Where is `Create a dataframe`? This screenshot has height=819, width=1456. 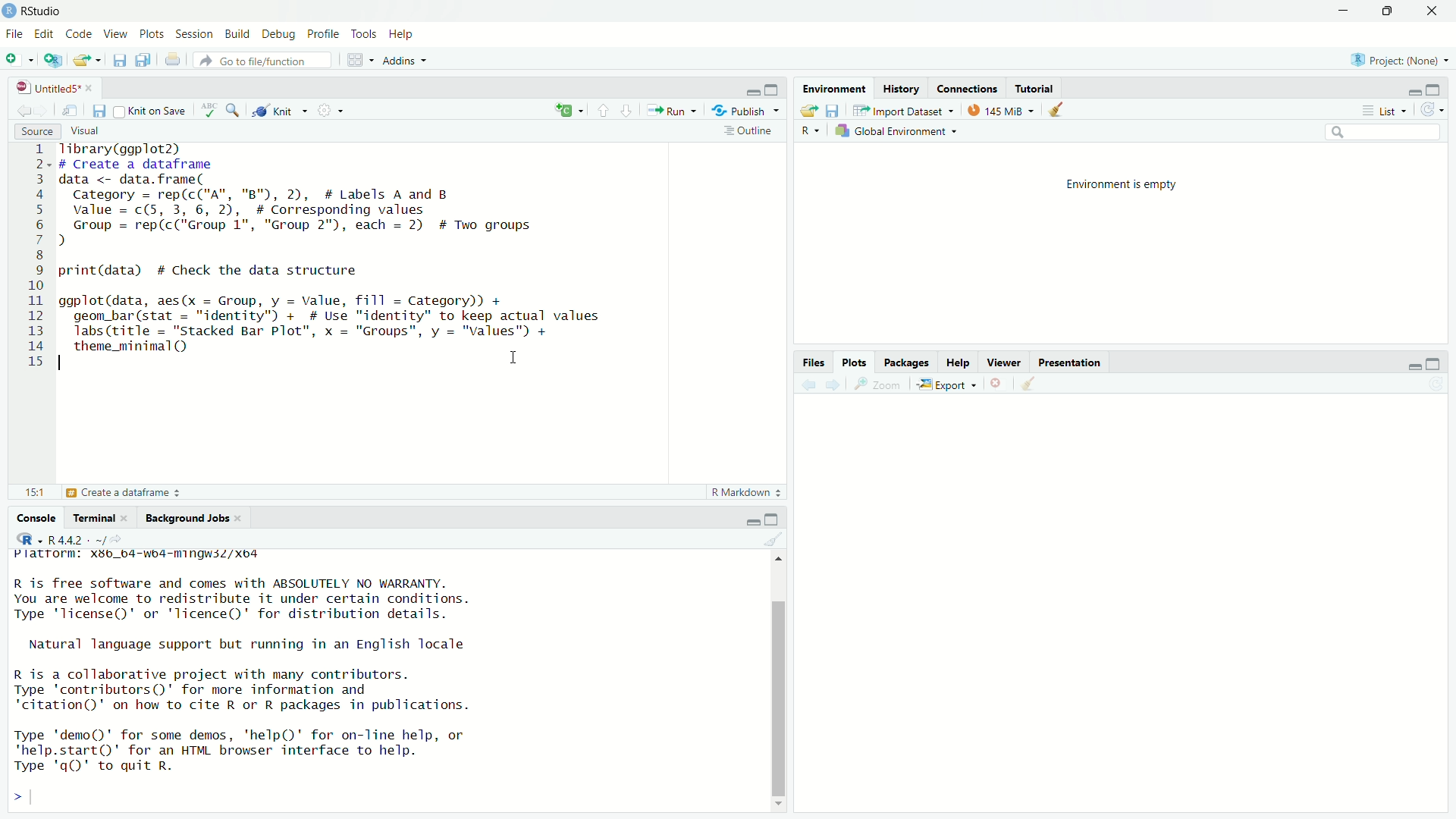
Create a dataframe is located at coordinates (122, 494).